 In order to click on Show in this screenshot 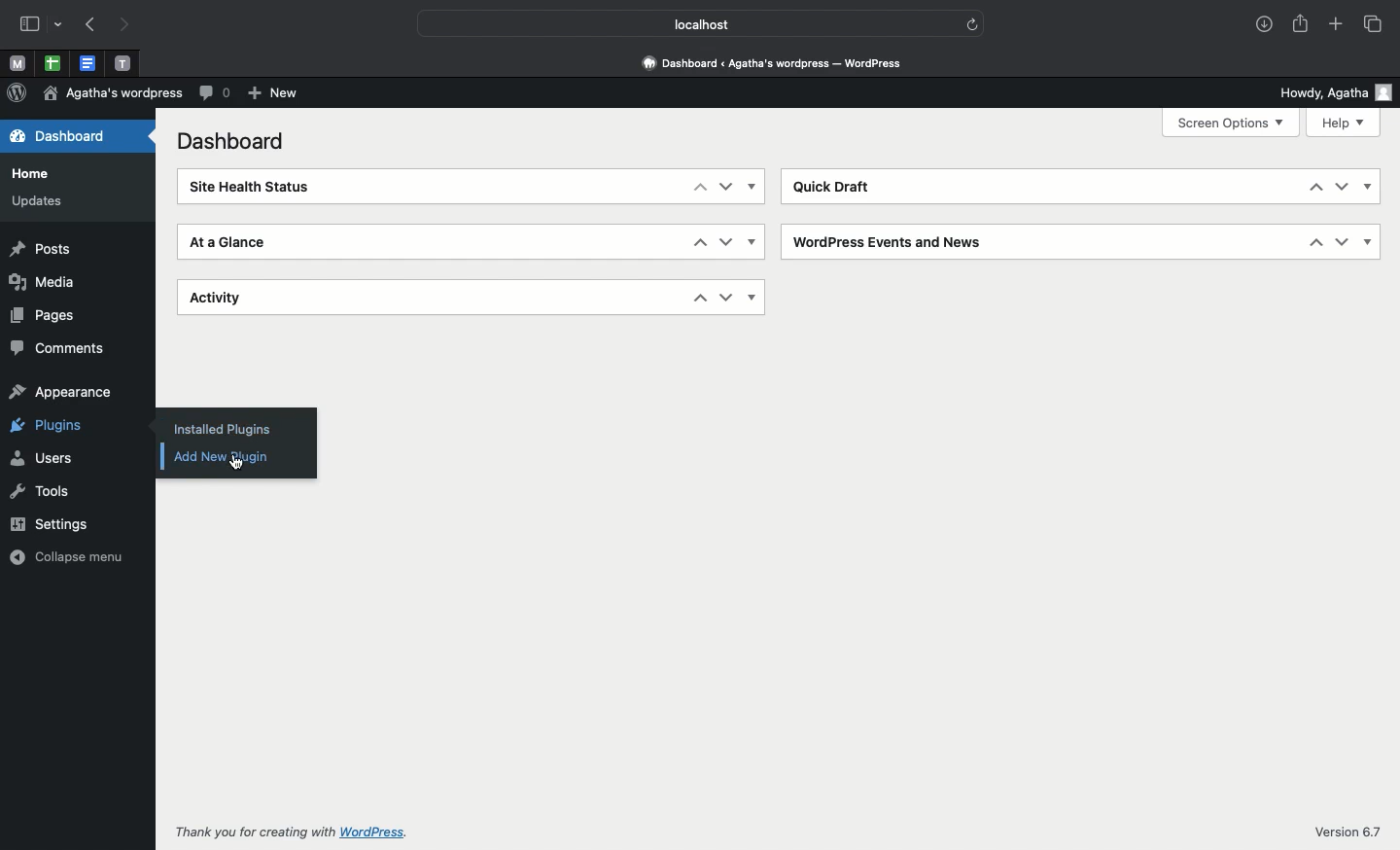, I will do `click(754, 241)`.